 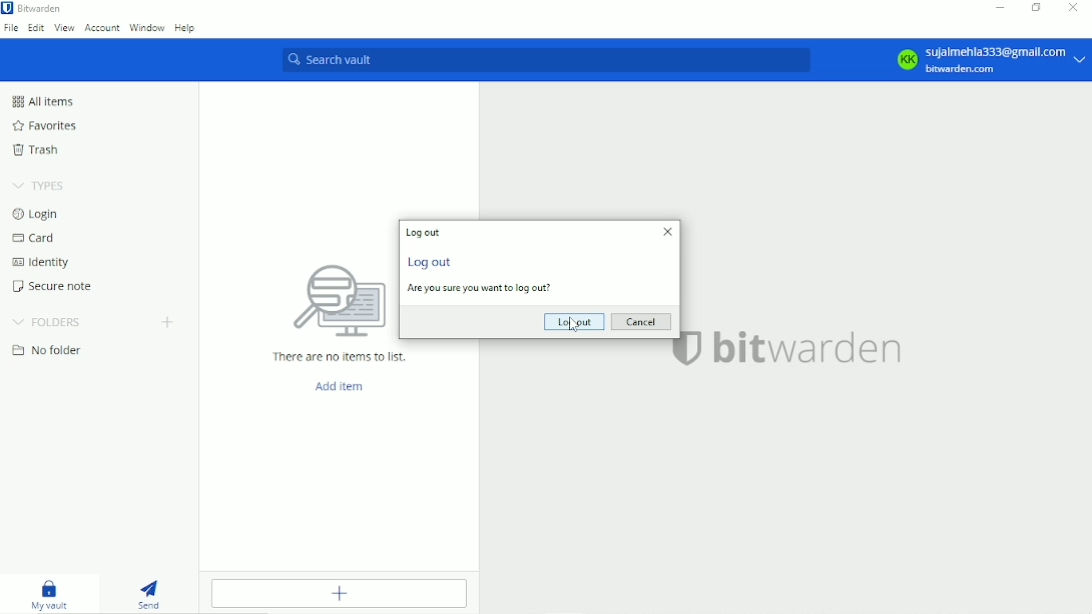 What do you see at coordinates (37, 215) in the screenshot?
I see `Login` at bounding box center [37, 215].